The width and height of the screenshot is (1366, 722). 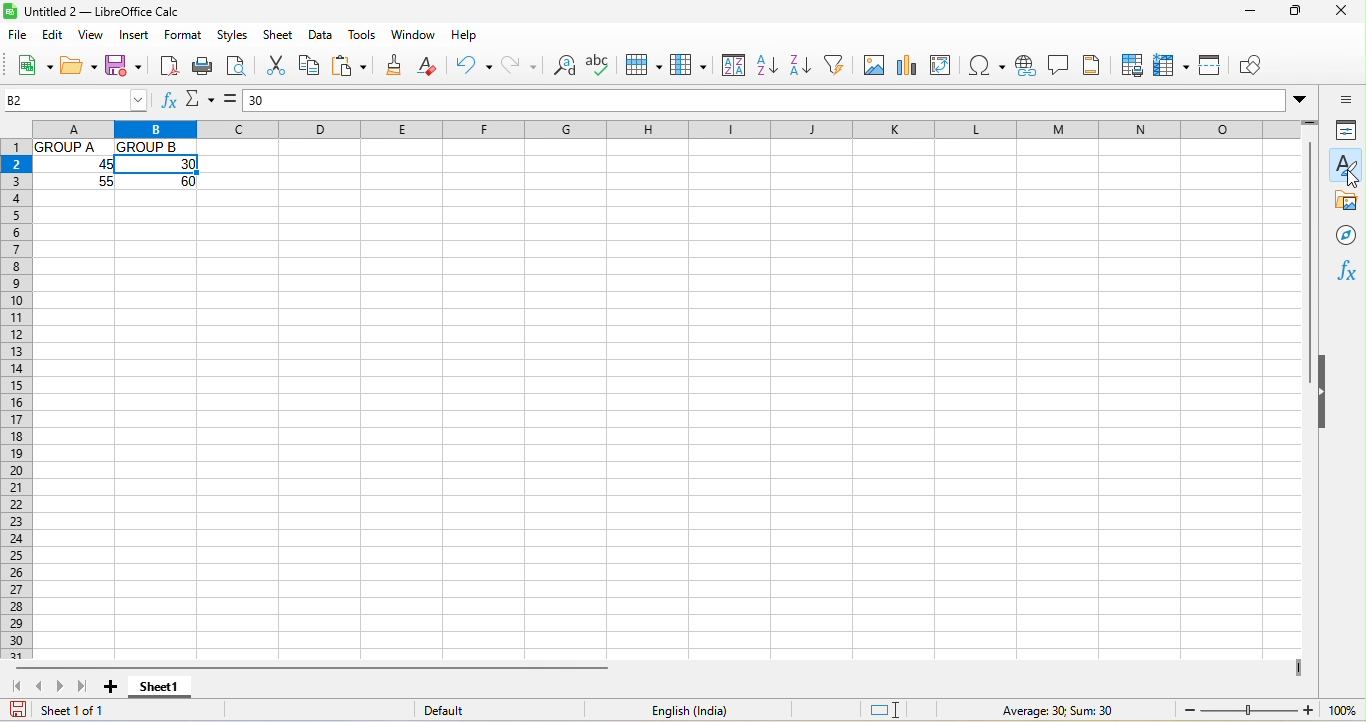 What do you see at coordinates (478, 65) in the screenshot?
I see `undo` at bounding box center [478, 65].